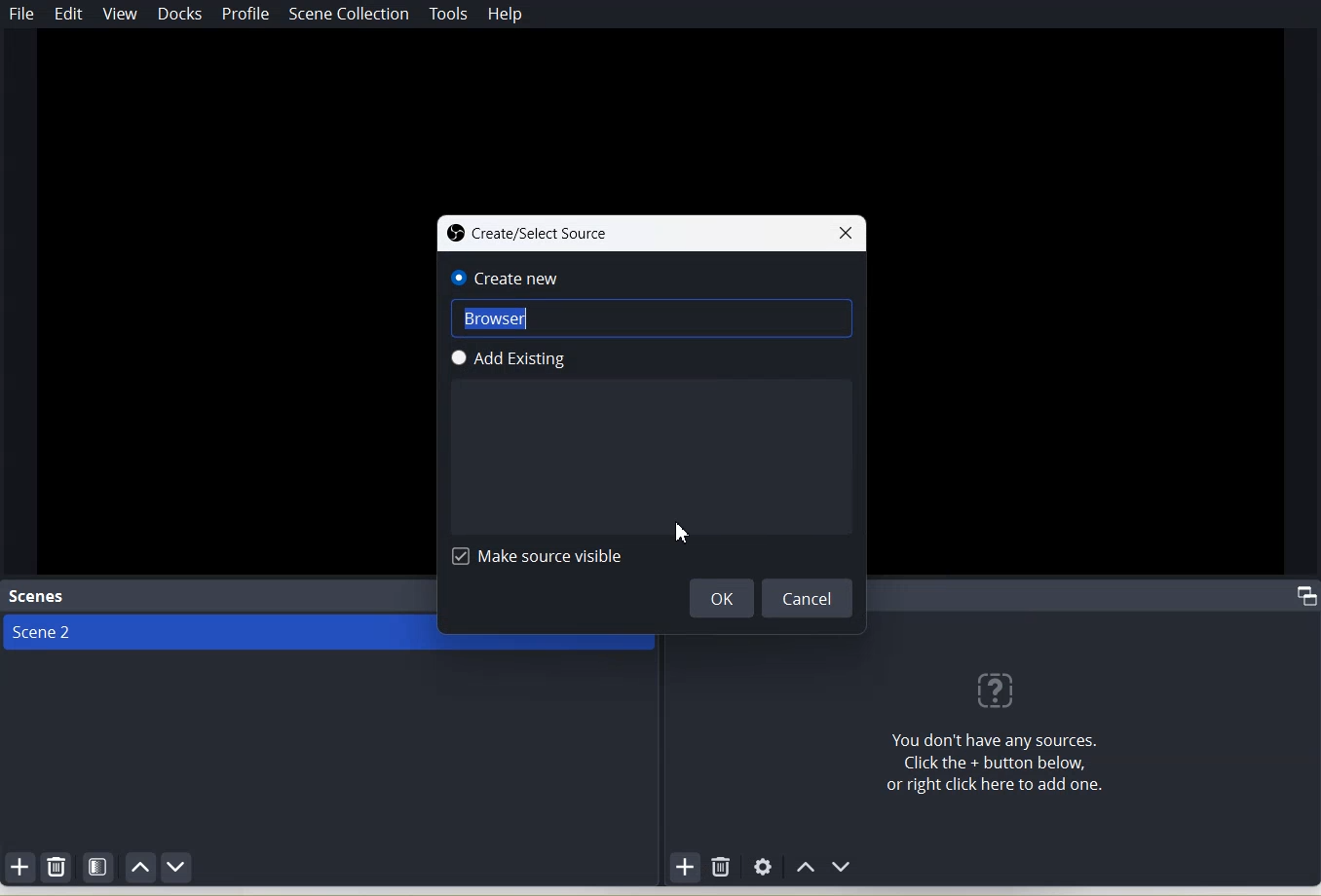 The image size is (1321, 896). What do you see at coordinates (1307, 596) in the screenshot?
I see `Maximize` at bounding box center [1307, 596].